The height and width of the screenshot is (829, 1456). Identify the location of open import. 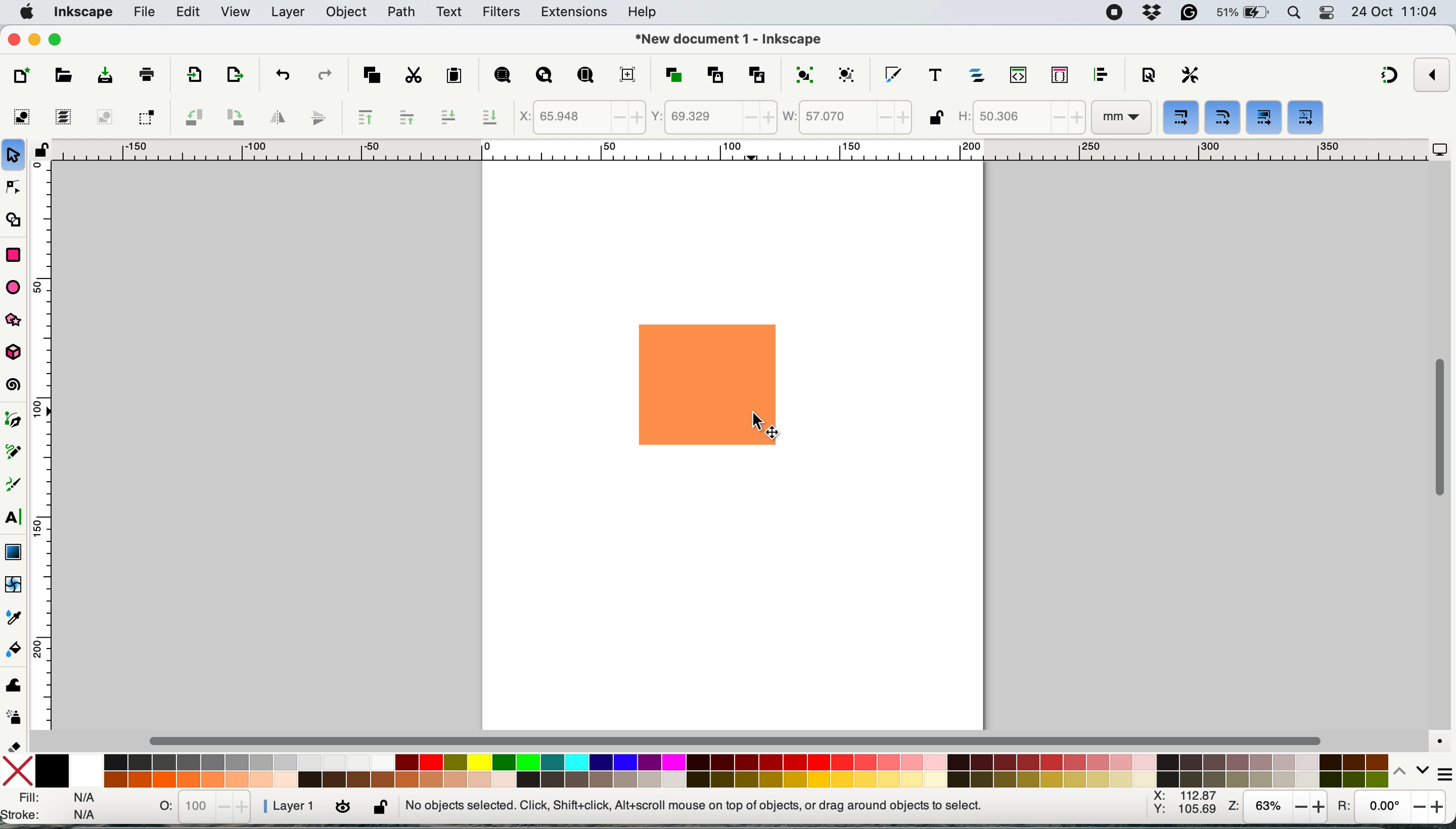
(234, 75).